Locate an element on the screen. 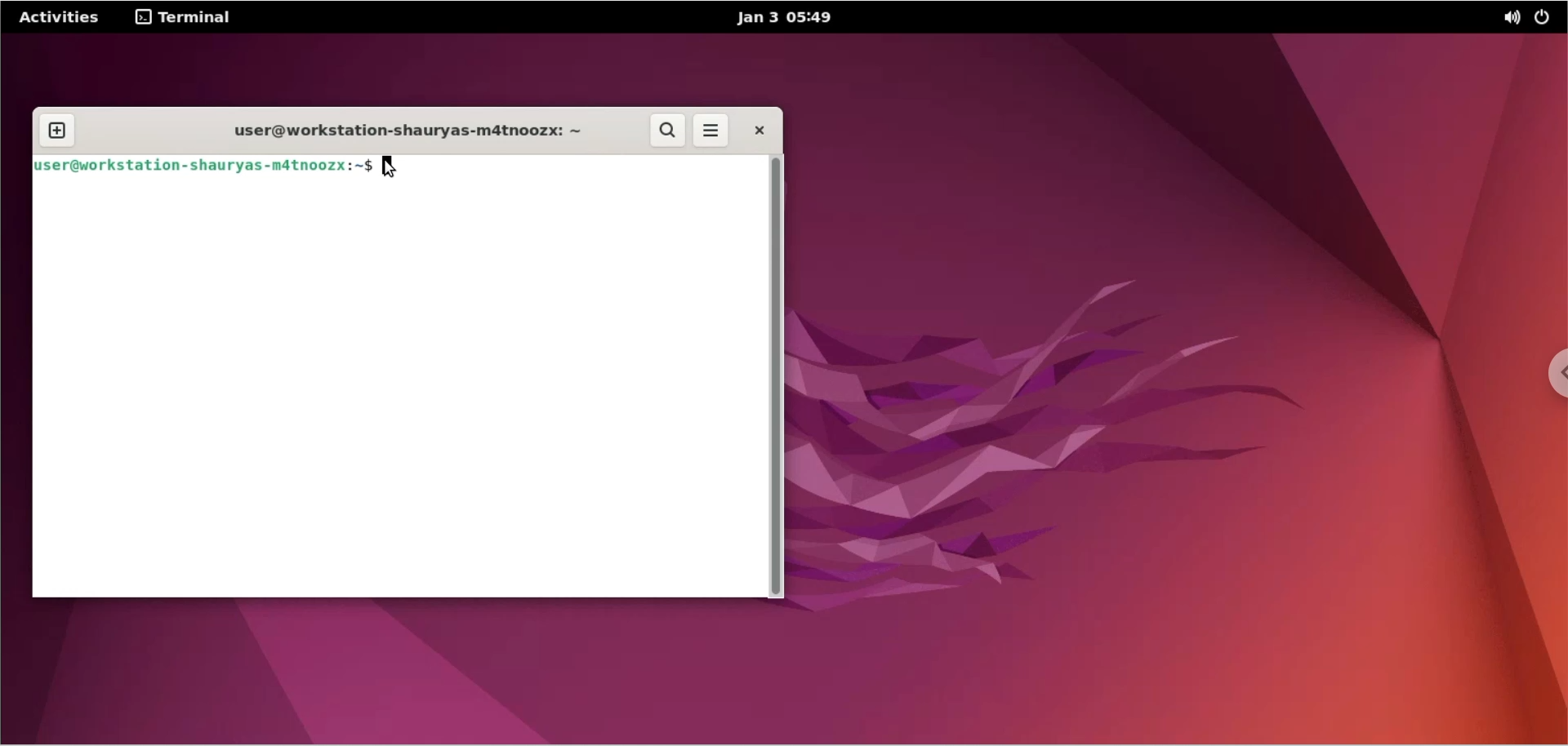 The image size is (1568, 746). cursor is located at coordinates (398, 166).